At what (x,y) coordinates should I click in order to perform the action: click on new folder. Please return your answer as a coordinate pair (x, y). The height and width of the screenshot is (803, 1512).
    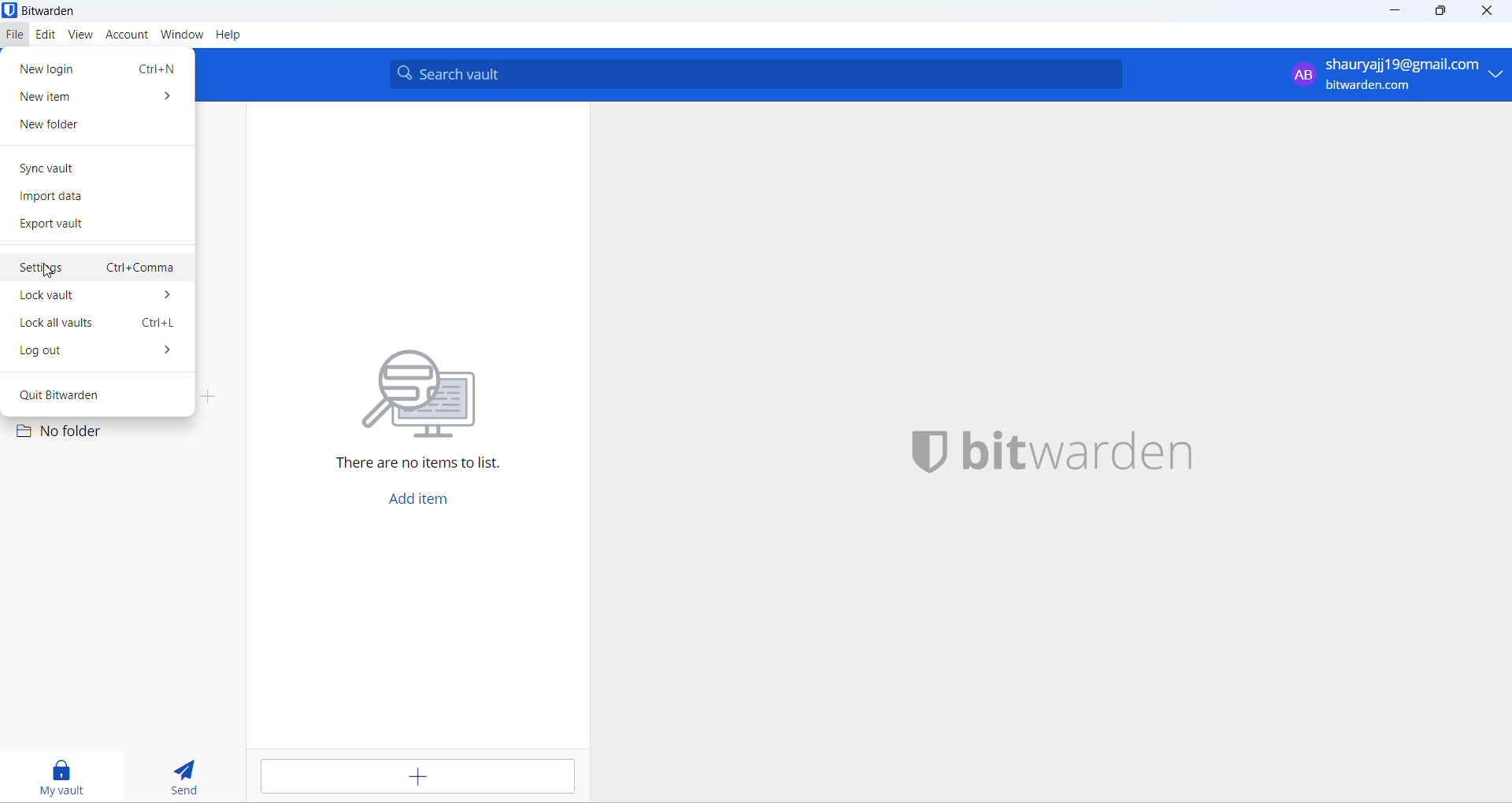
    Looking at the image, I should click on (98, 125).